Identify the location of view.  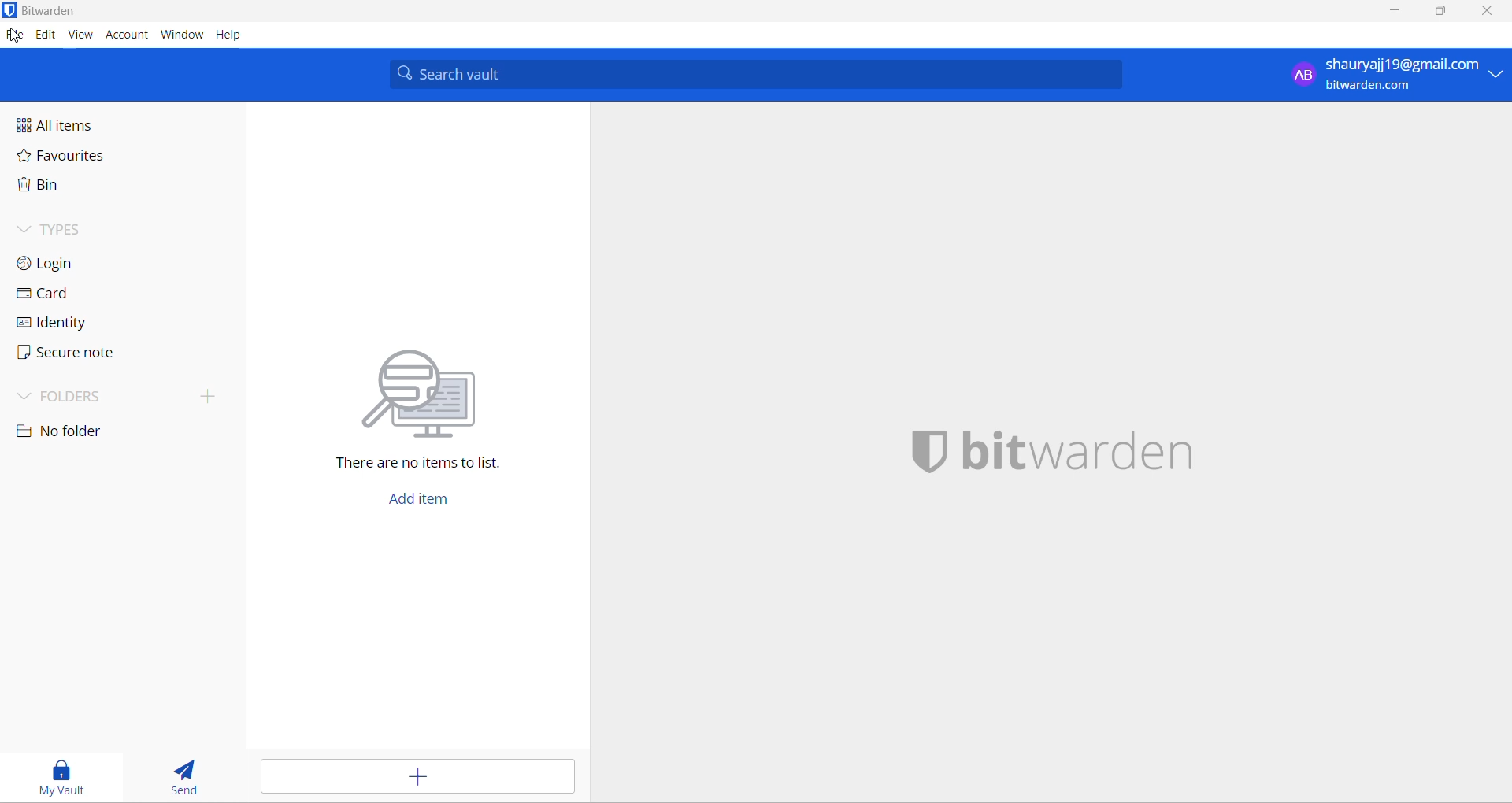
(80, 37).